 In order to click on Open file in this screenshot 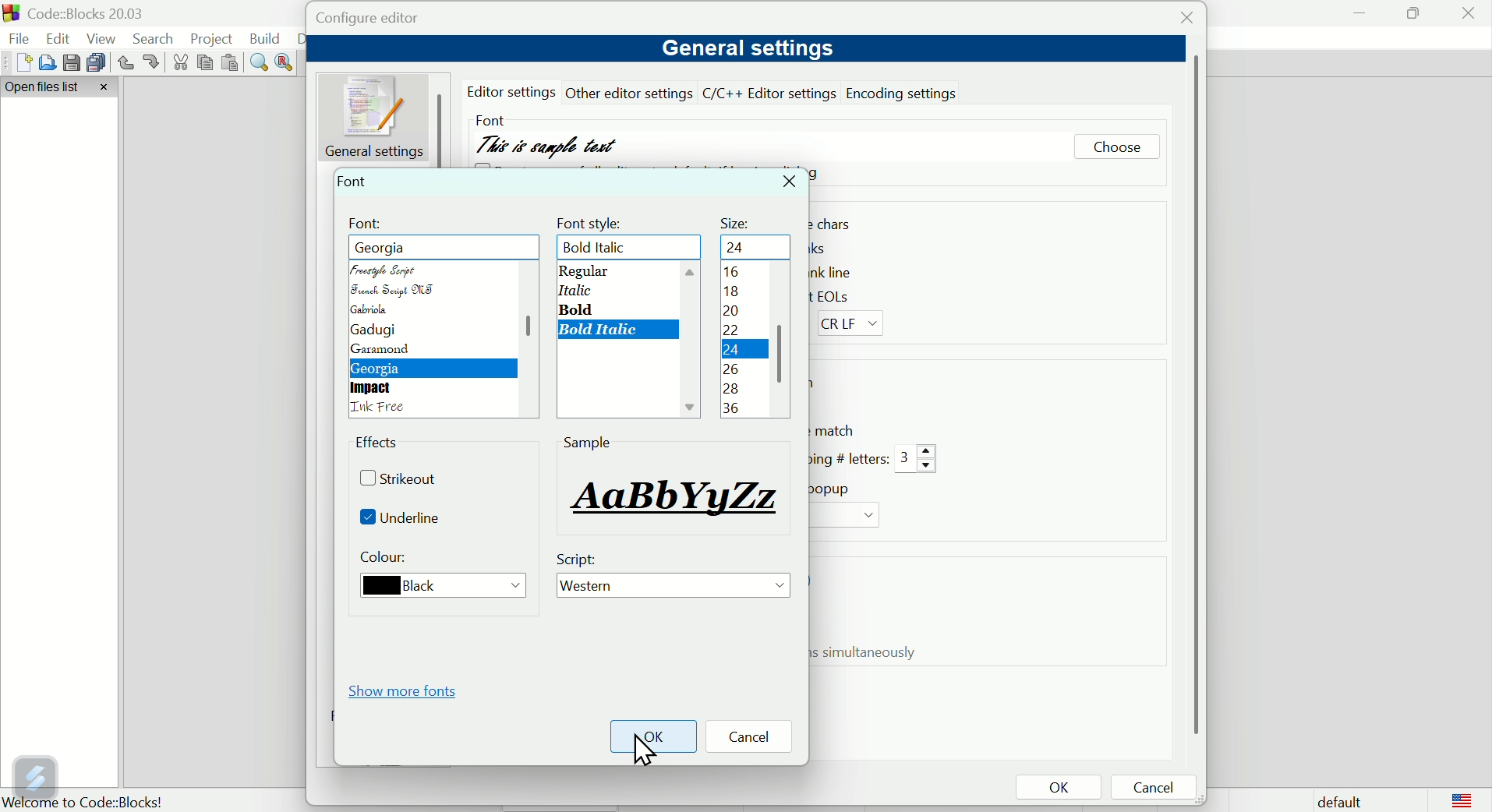, I will do `click(44, 62)`.